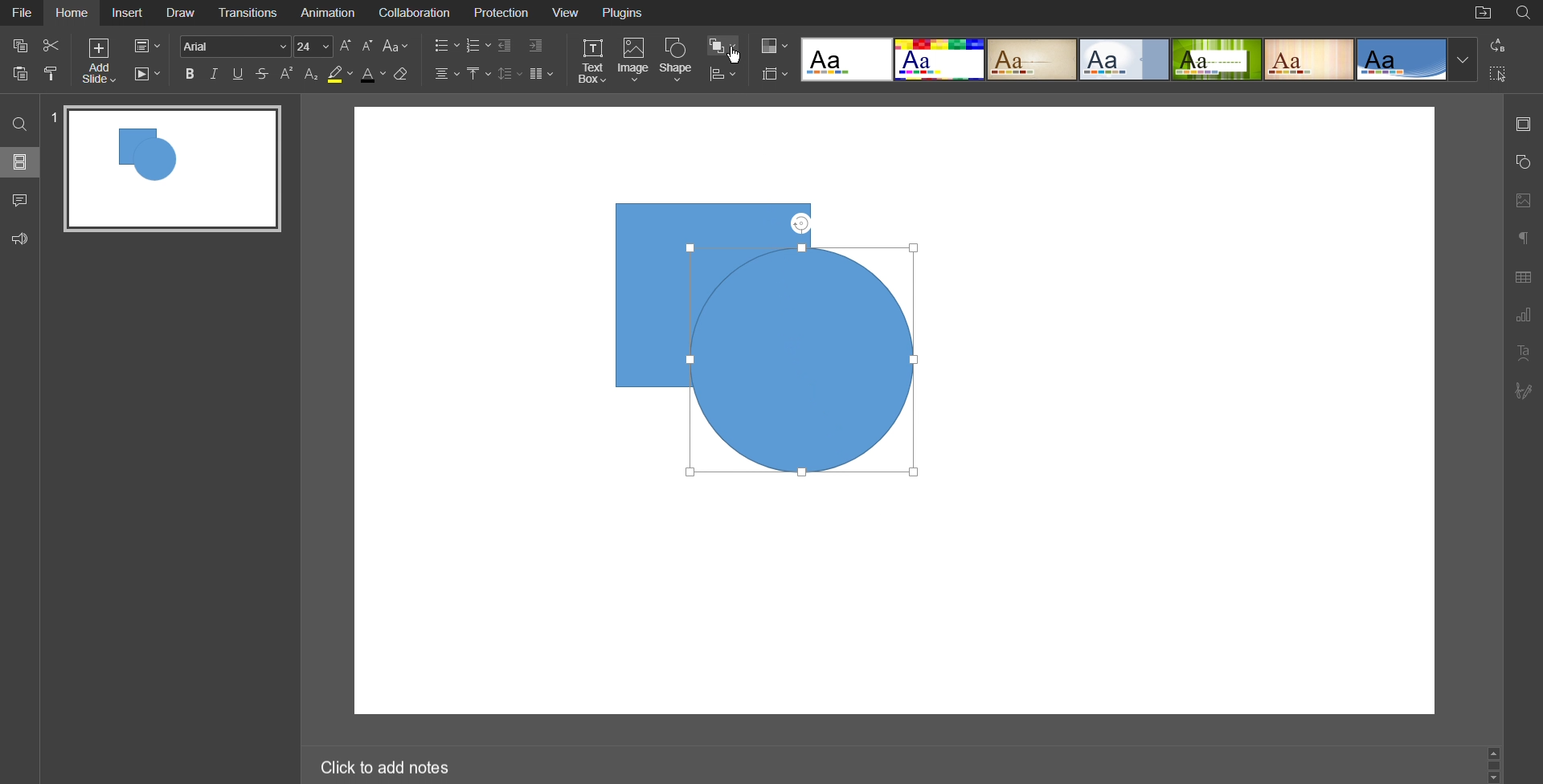 The width and height of the screenshot is (1543, 784). I want to click on Erase, so click(404, 74).